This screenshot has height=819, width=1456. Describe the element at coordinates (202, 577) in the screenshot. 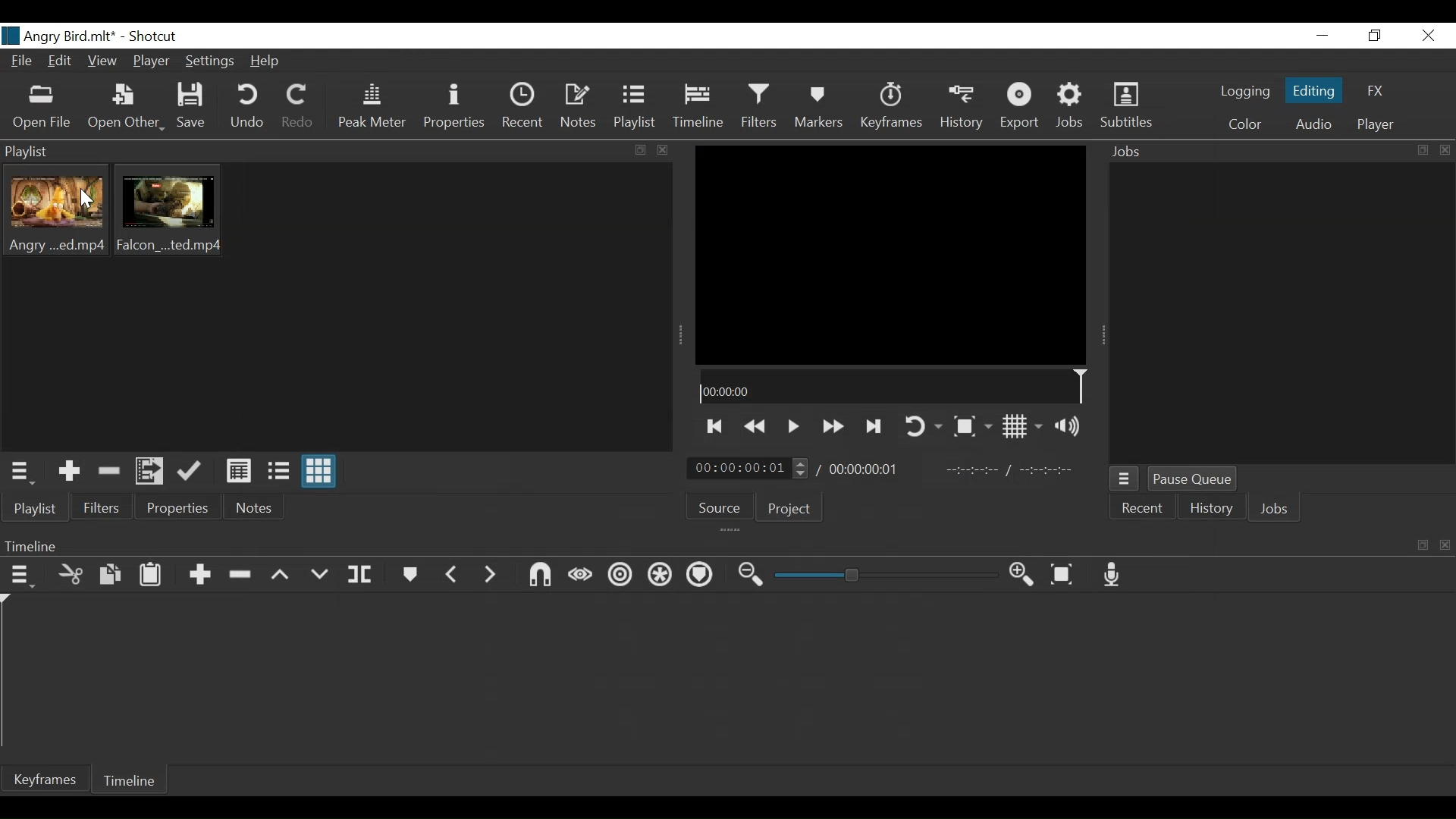

I see `Append` at that location.